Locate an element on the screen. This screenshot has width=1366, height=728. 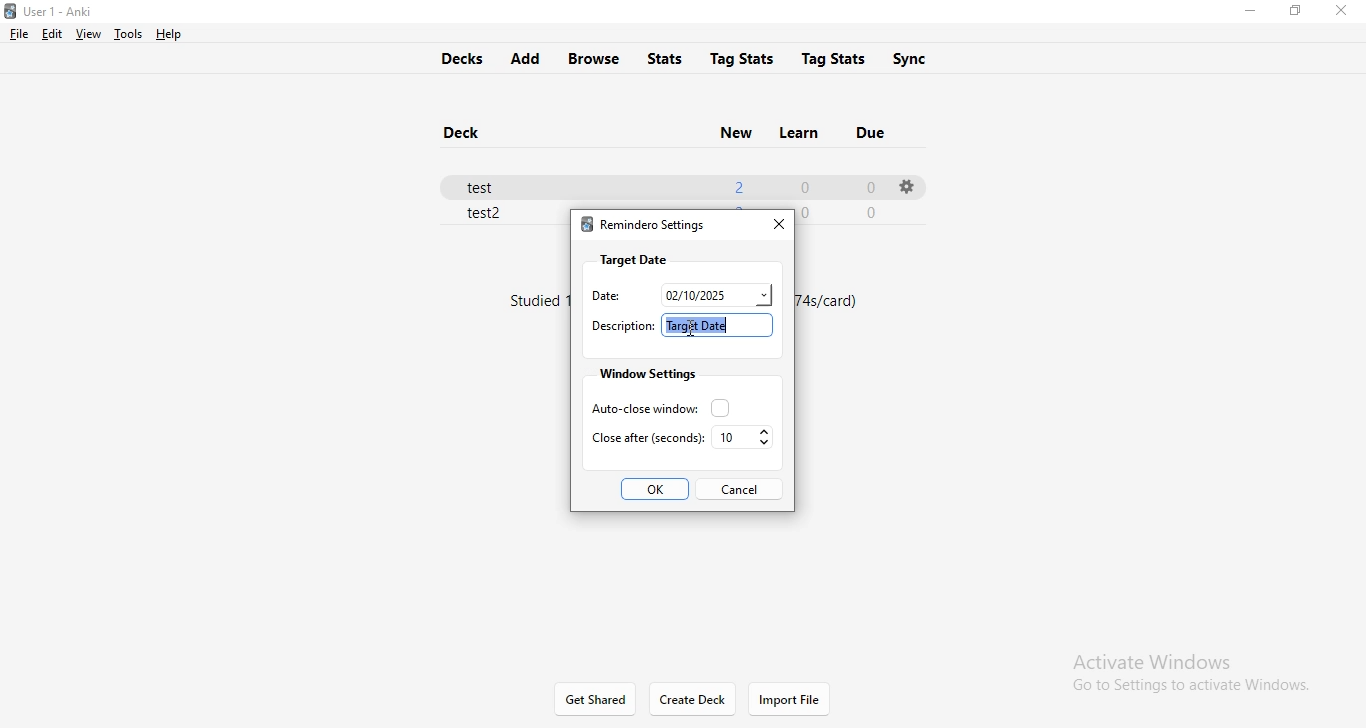
ok is located at coordinates (657, 490).